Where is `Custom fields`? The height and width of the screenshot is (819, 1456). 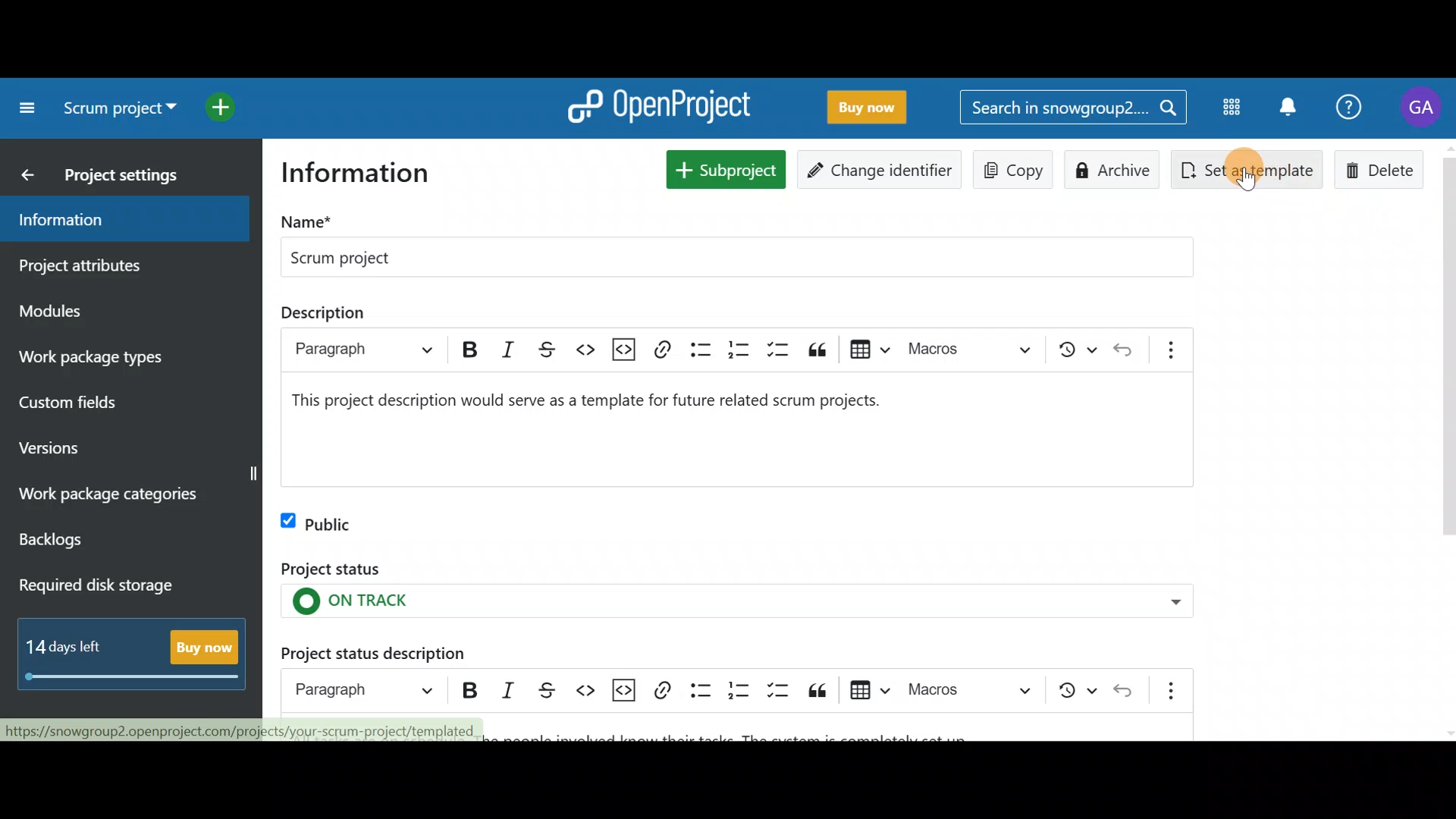
Custom fields is located at coordinates (115, 400).